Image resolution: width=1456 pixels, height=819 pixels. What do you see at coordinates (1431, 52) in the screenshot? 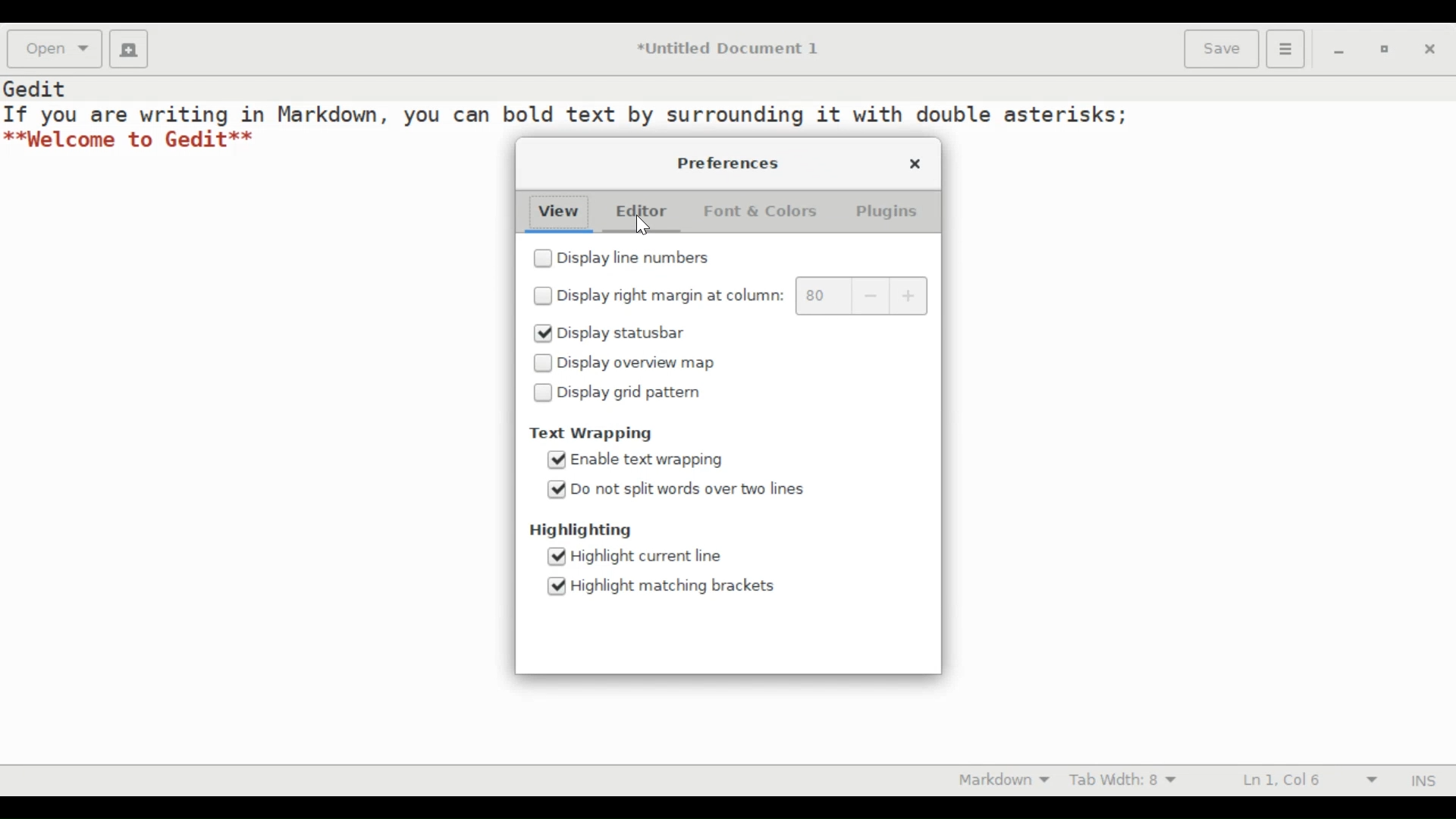
I see `close` at bounding box center [1431, 52].